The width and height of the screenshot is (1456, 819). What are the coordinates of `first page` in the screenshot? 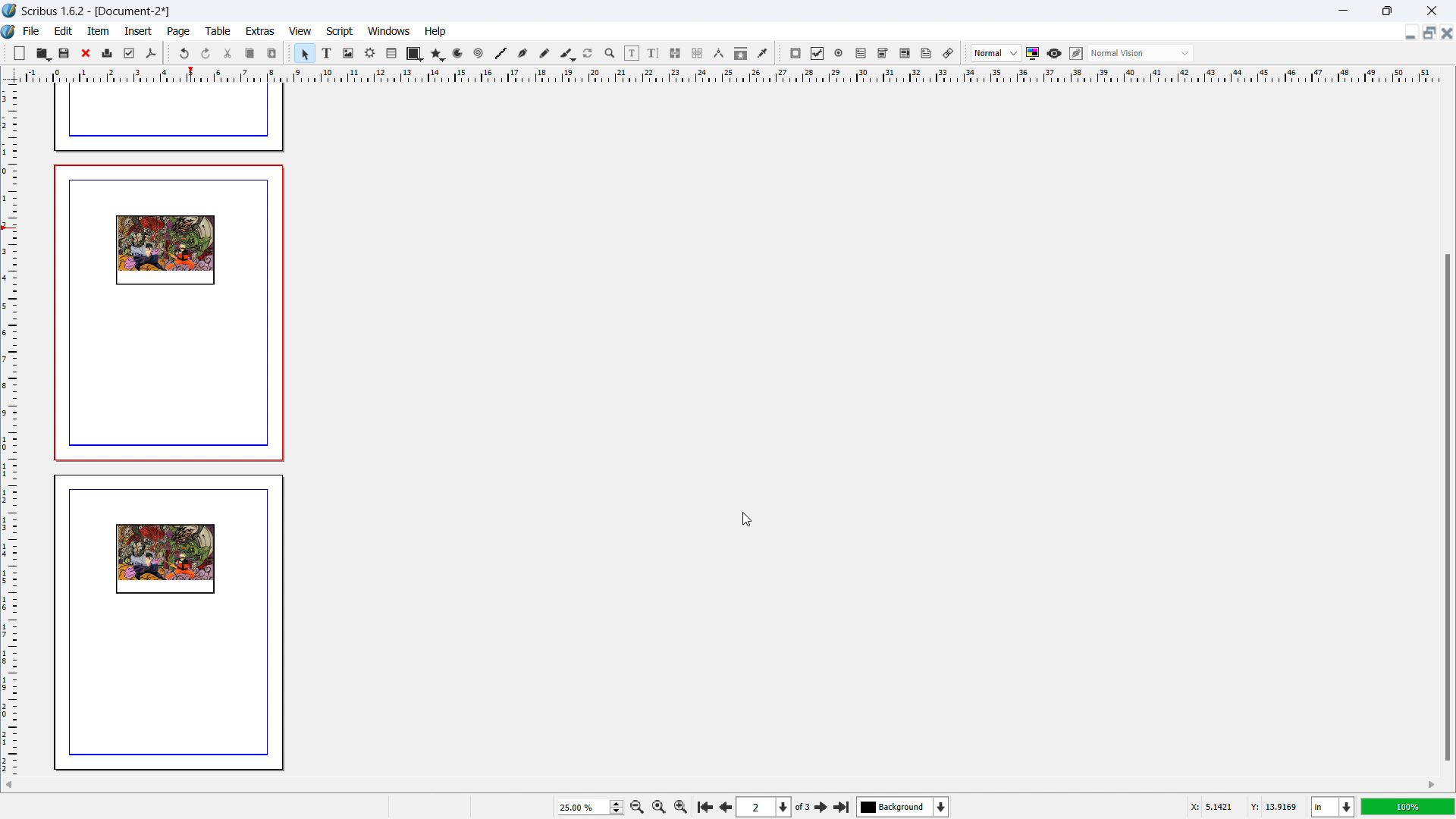 It's located at (704, 805).